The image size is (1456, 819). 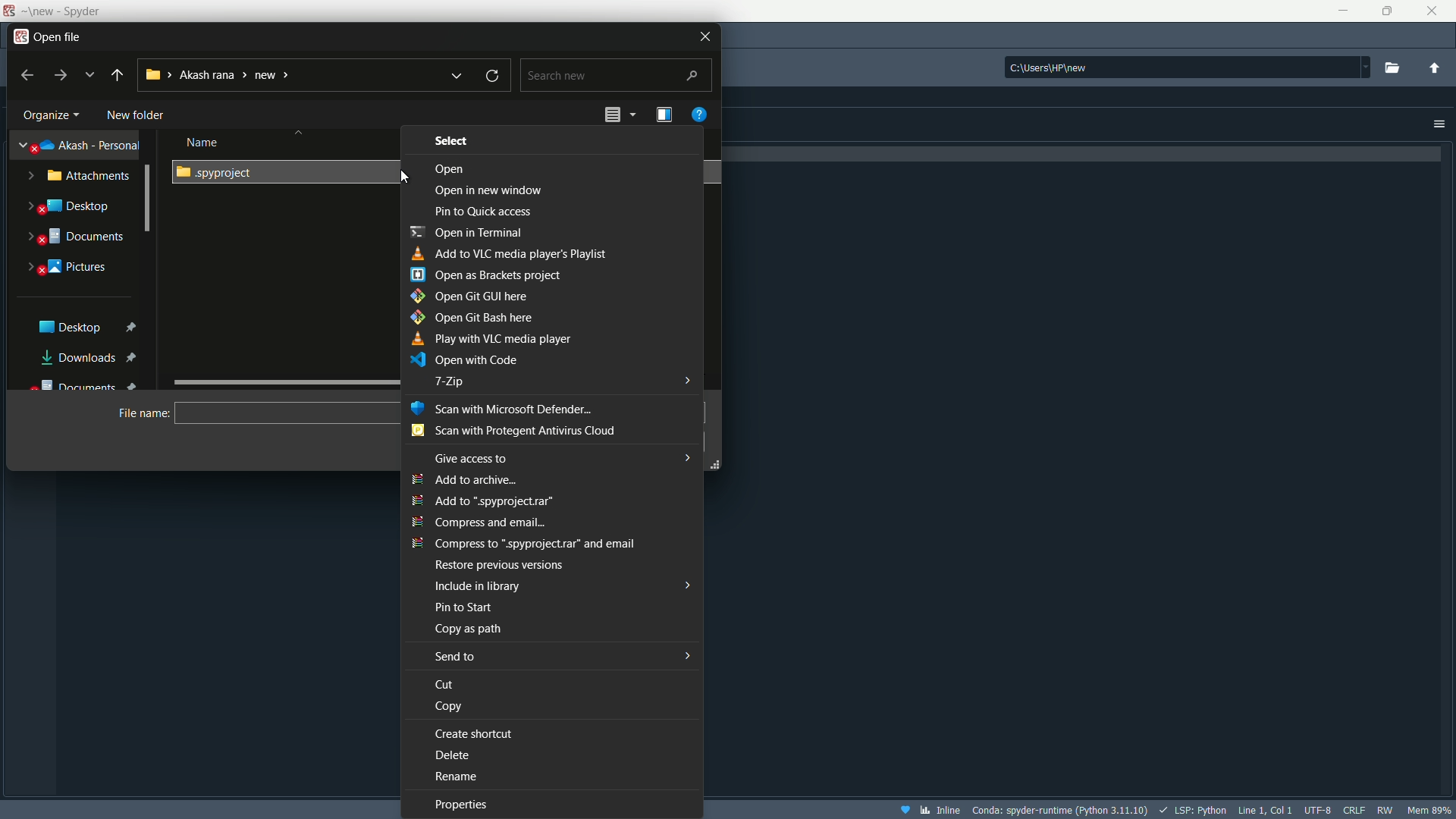 What do you see at coordinates (287, 413) in the screenshot?
I see `name bar` at bounding box center [287, 413].